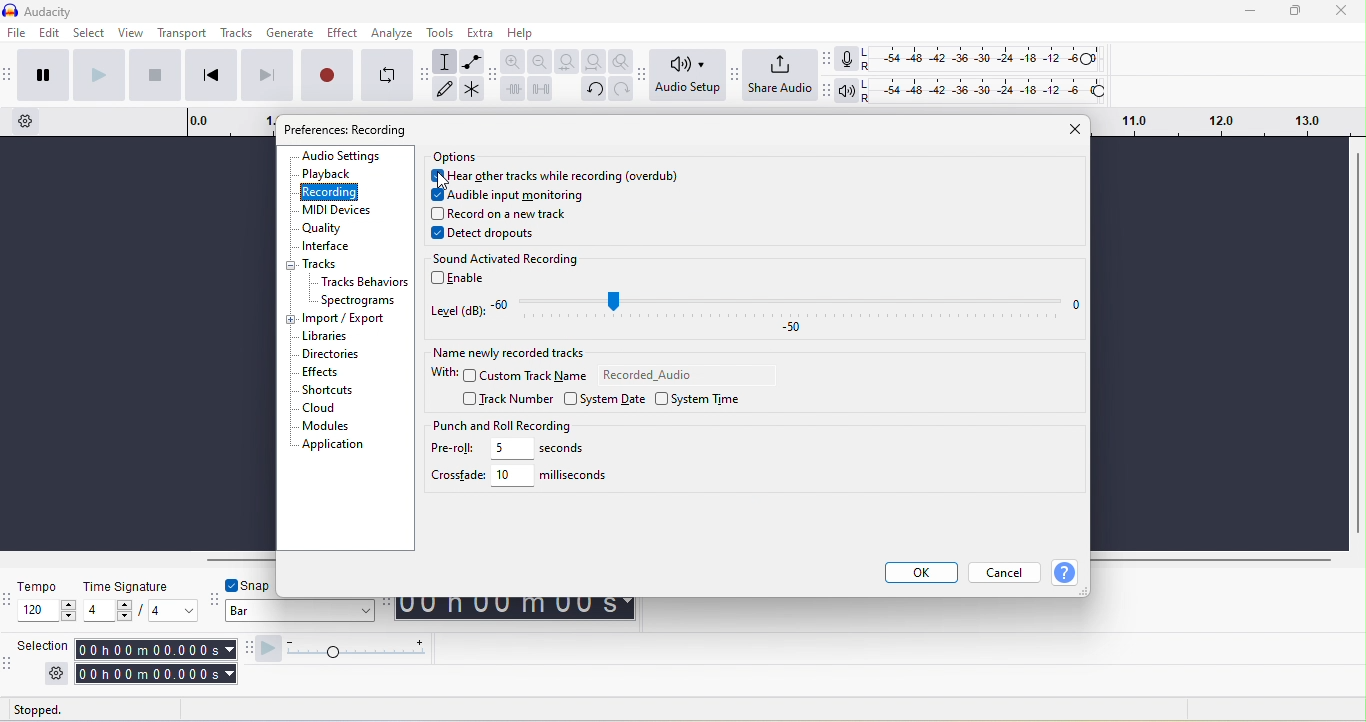 The image size is (1366, 722). I want to click on audacity snapping toolbar, so click(216, 598).